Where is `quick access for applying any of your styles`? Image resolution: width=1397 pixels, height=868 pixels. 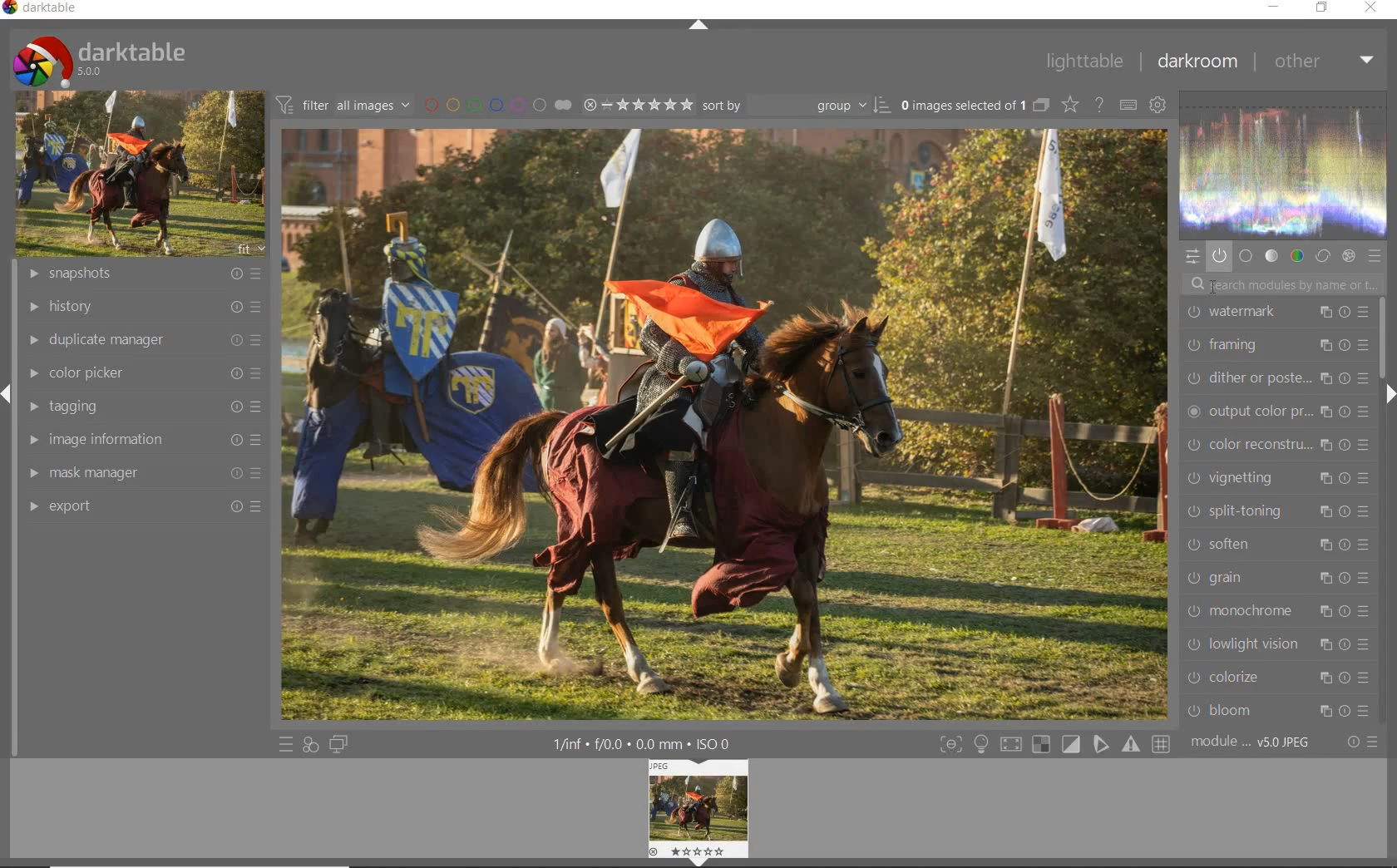 quick access for applying any of your styles is located at coordinates (312, 743).